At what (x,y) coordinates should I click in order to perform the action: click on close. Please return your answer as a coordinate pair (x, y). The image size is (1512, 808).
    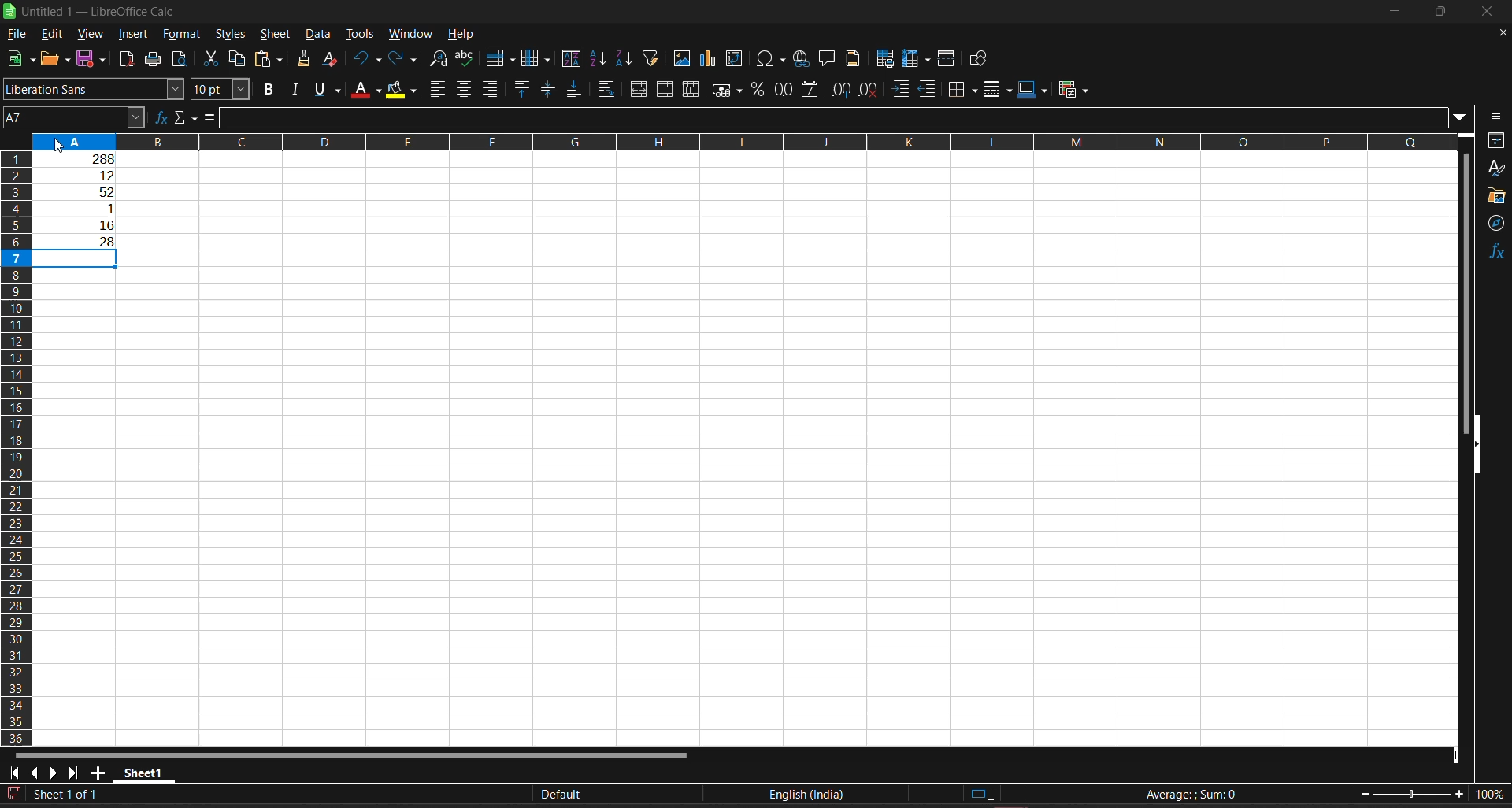
    Looking at the image, I should click on (1492, 11).